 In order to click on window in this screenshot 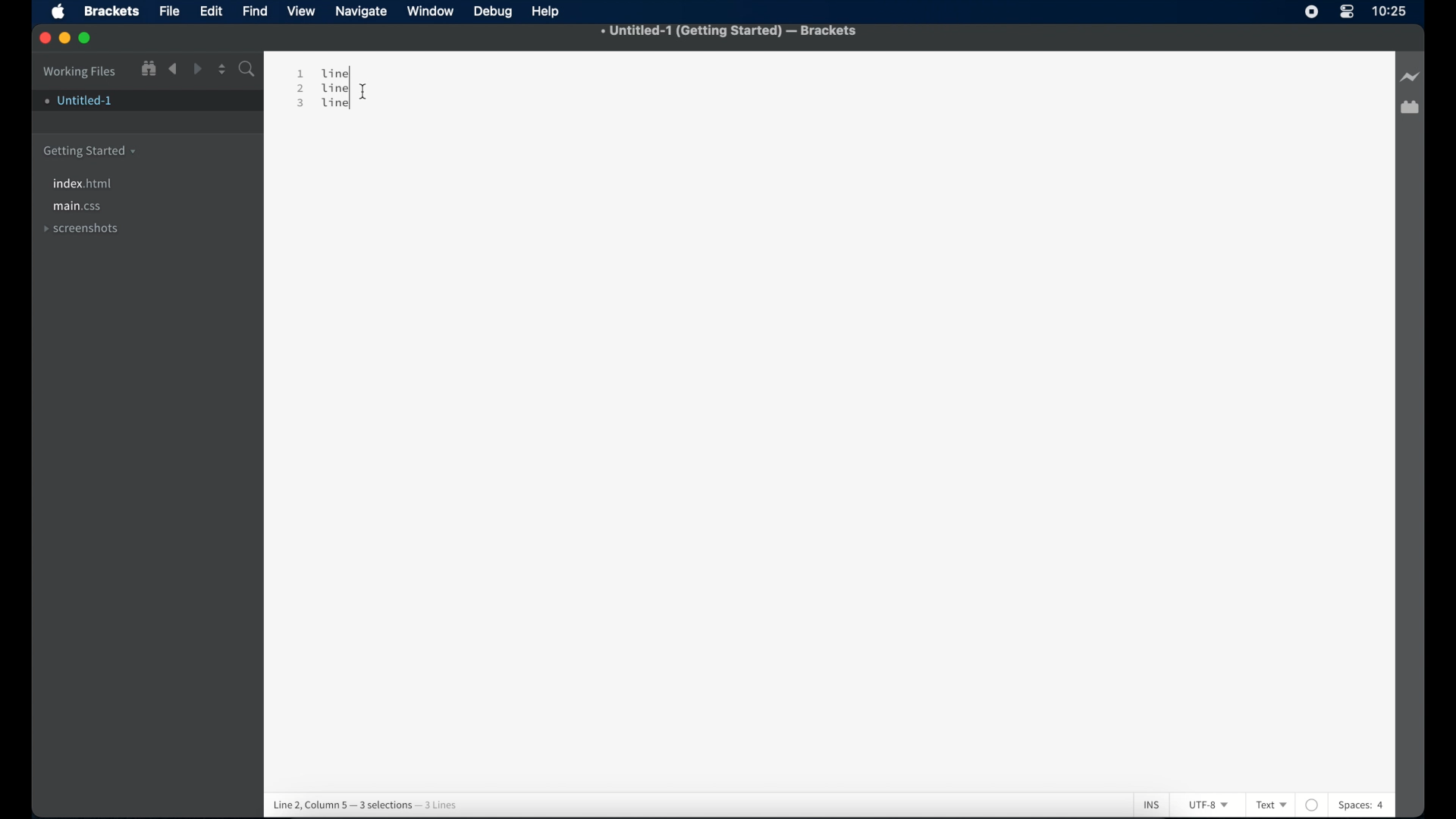, I will do `click(431, 11)`.